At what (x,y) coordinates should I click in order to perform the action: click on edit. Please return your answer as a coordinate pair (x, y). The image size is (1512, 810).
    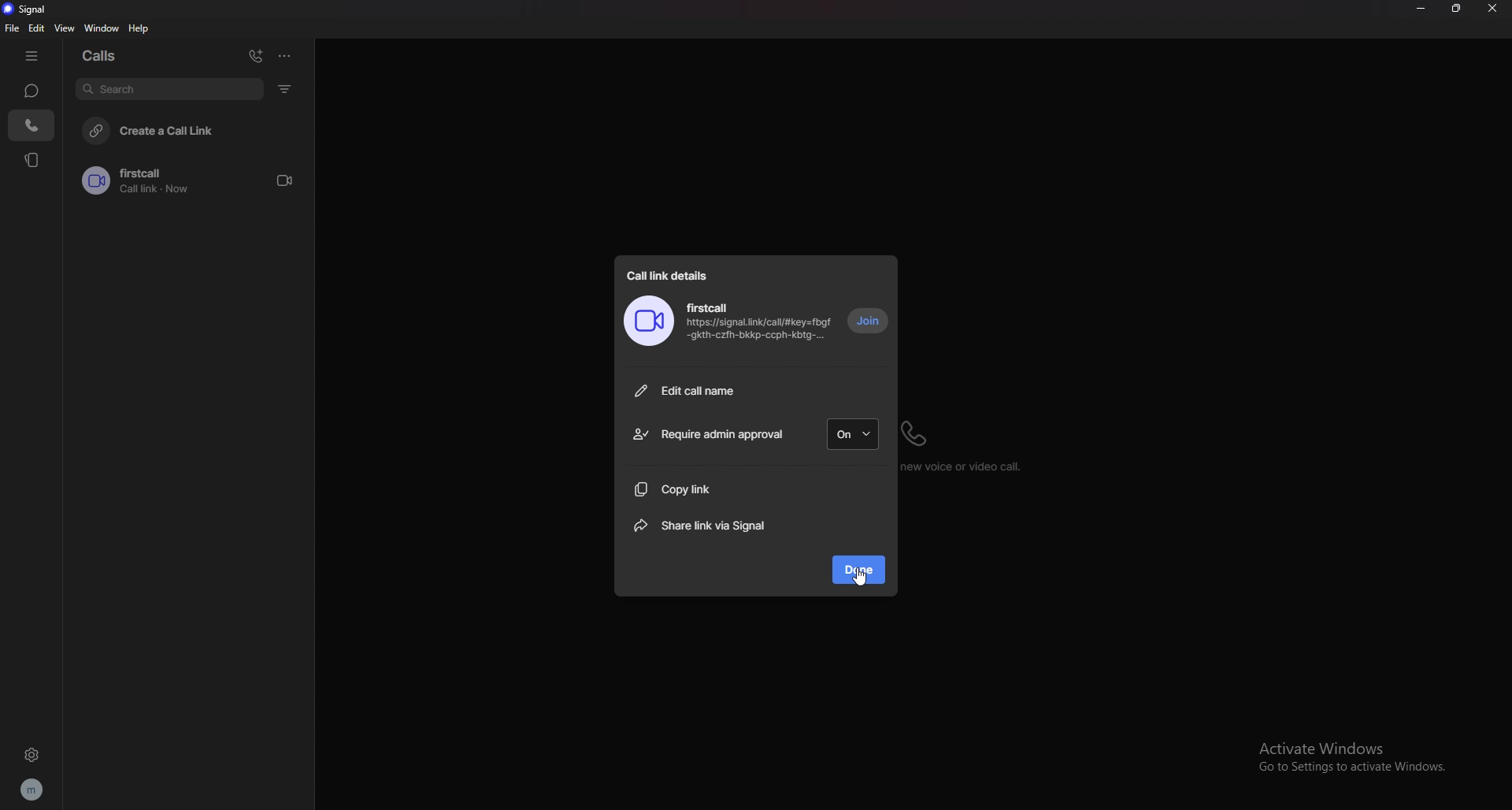
    Looking at the image, I should click on (37, 28).